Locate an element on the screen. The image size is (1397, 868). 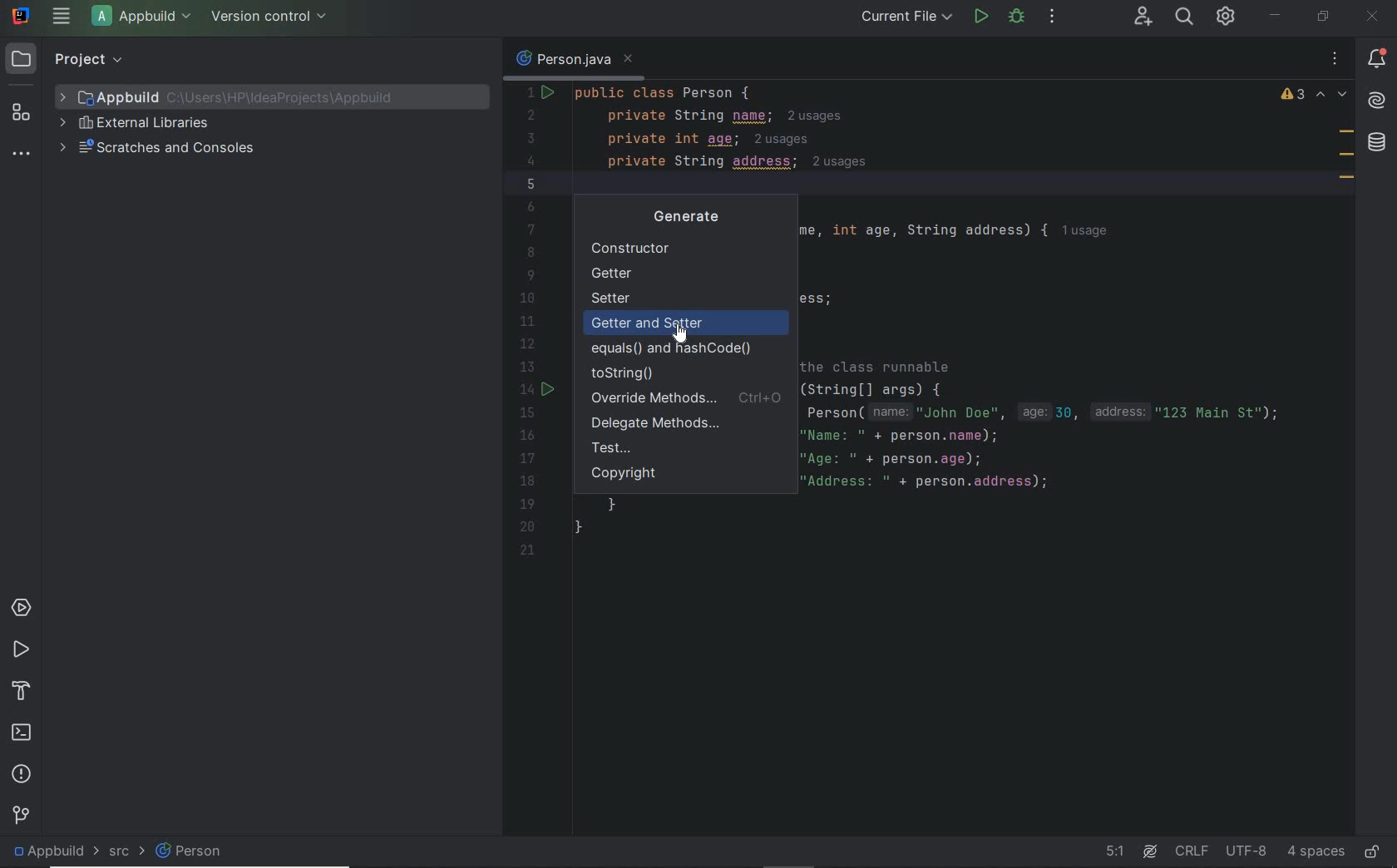
code with me is located at coordinates (1140, 17).